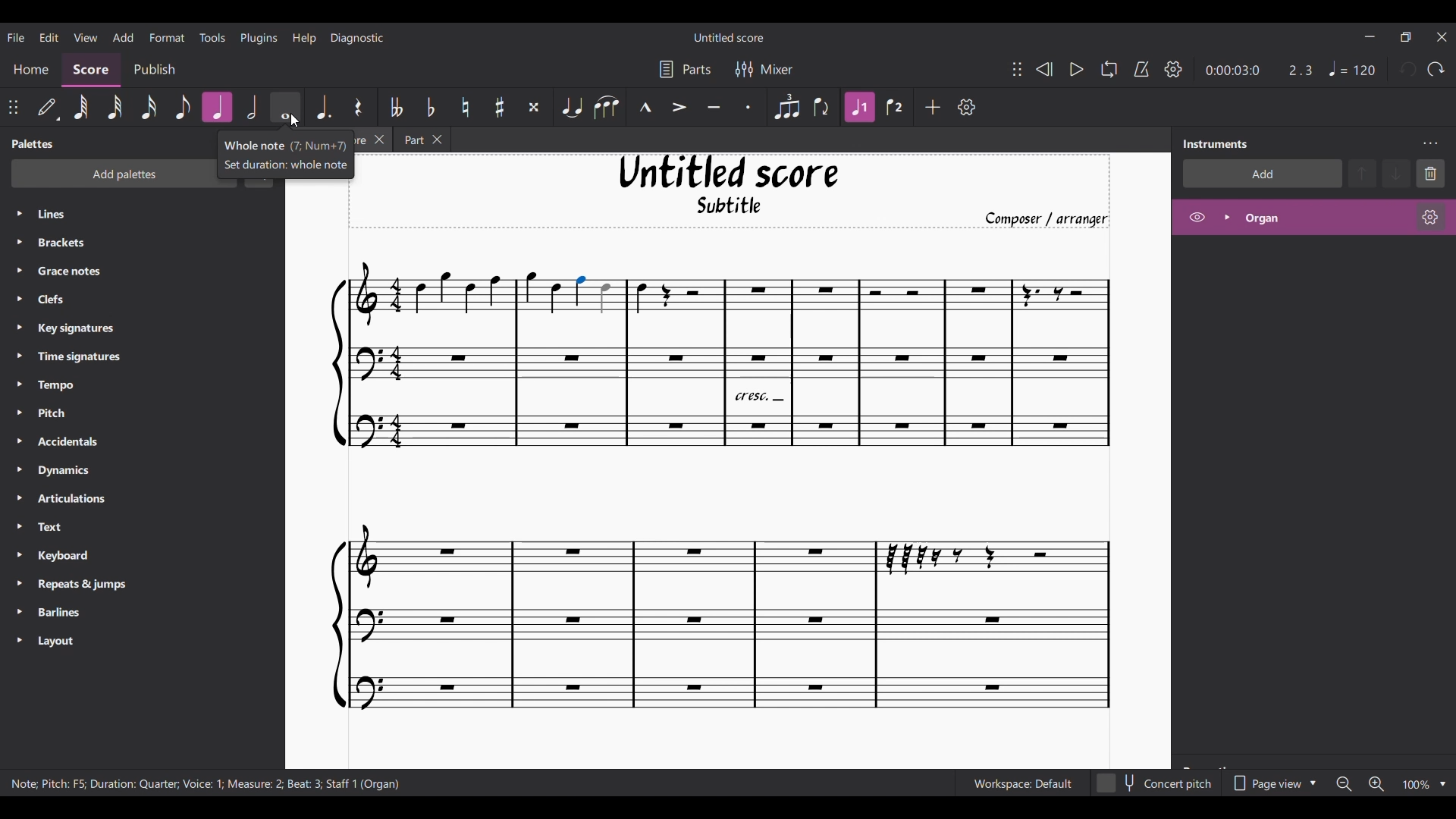  I want to click on File menu, so click(16, 37).